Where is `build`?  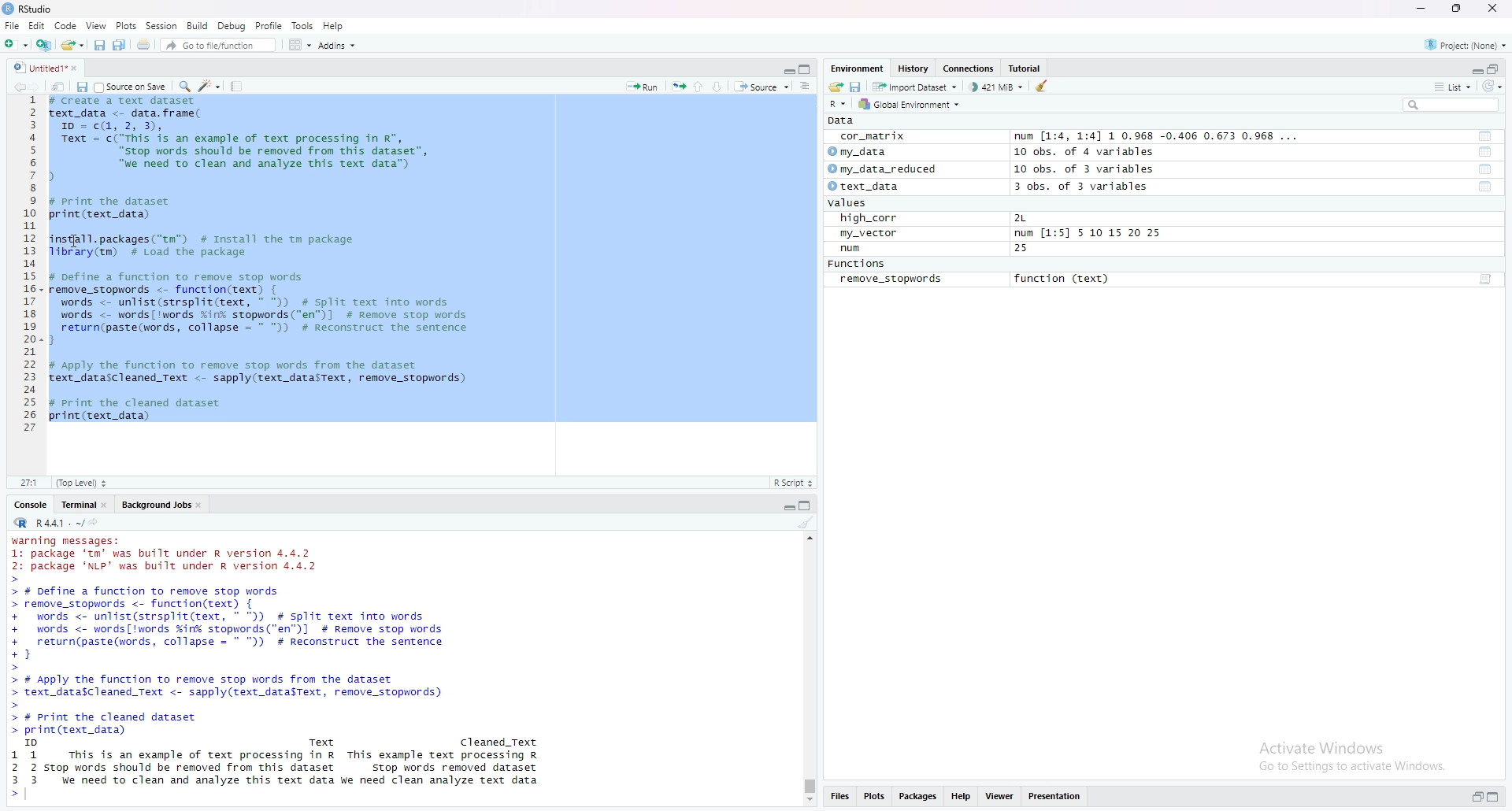 build is located at coordinates (198, 26).